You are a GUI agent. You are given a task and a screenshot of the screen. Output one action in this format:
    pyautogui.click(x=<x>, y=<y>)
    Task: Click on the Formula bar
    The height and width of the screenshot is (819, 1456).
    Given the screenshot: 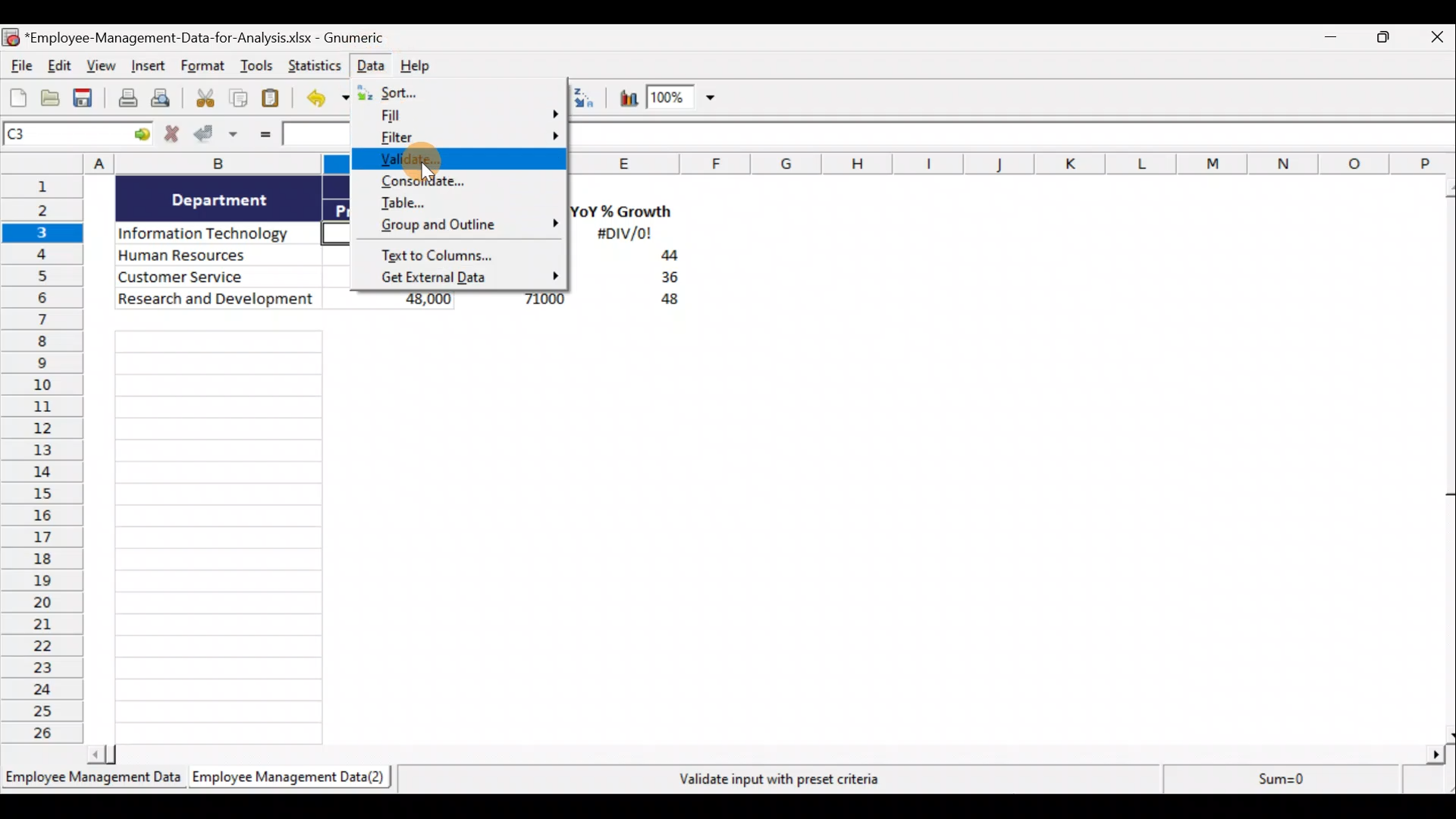 What is the action you would take?
    pyautogui.click(x=1015, y=139)
    